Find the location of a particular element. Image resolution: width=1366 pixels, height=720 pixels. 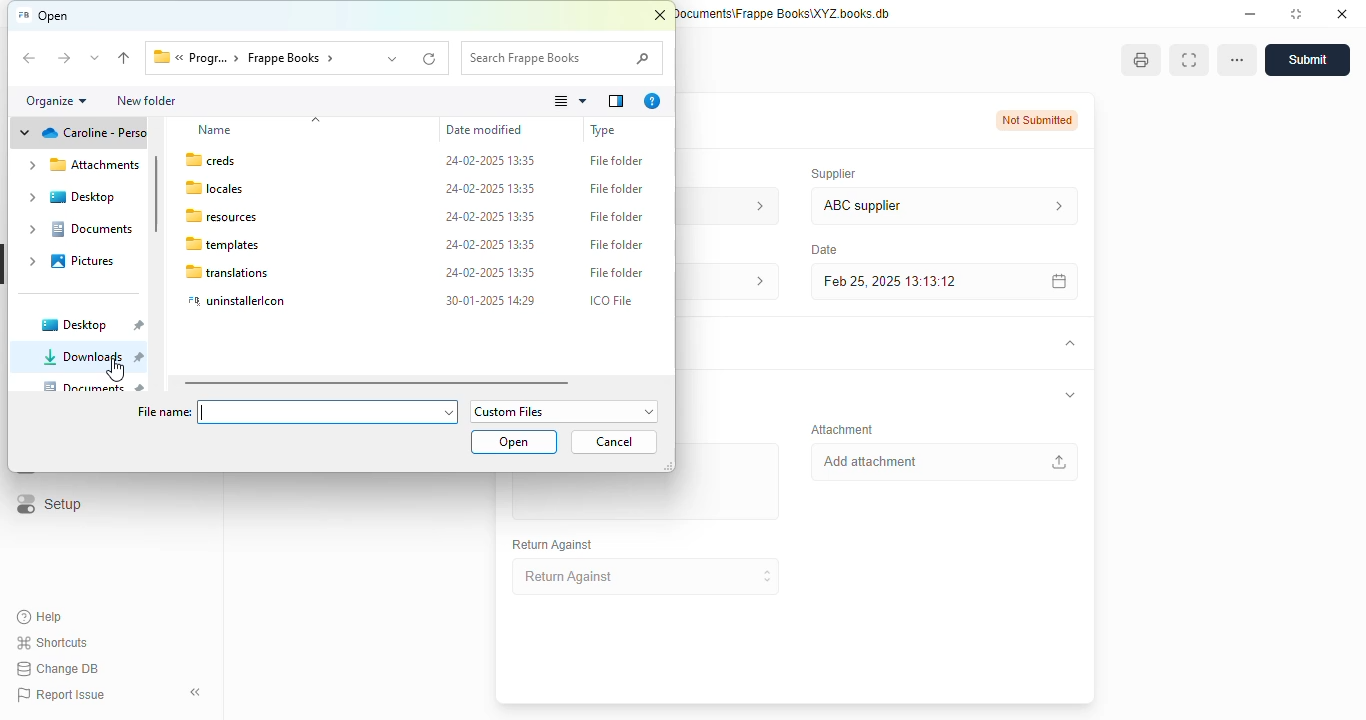

program files.. > is located at coordinates (209, 58).